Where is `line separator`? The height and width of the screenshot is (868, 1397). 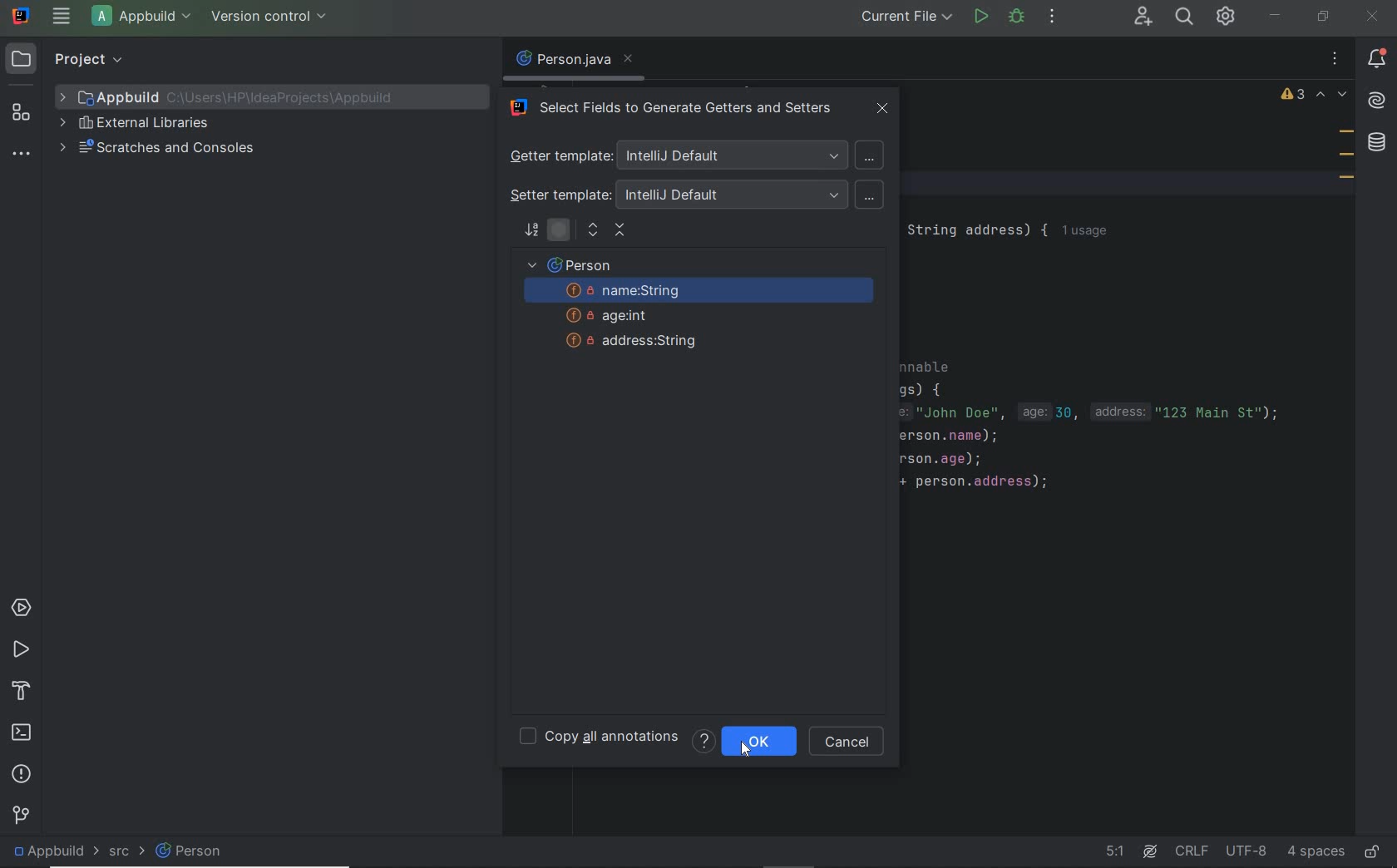
line separator is located at coordinates (1192, 852).